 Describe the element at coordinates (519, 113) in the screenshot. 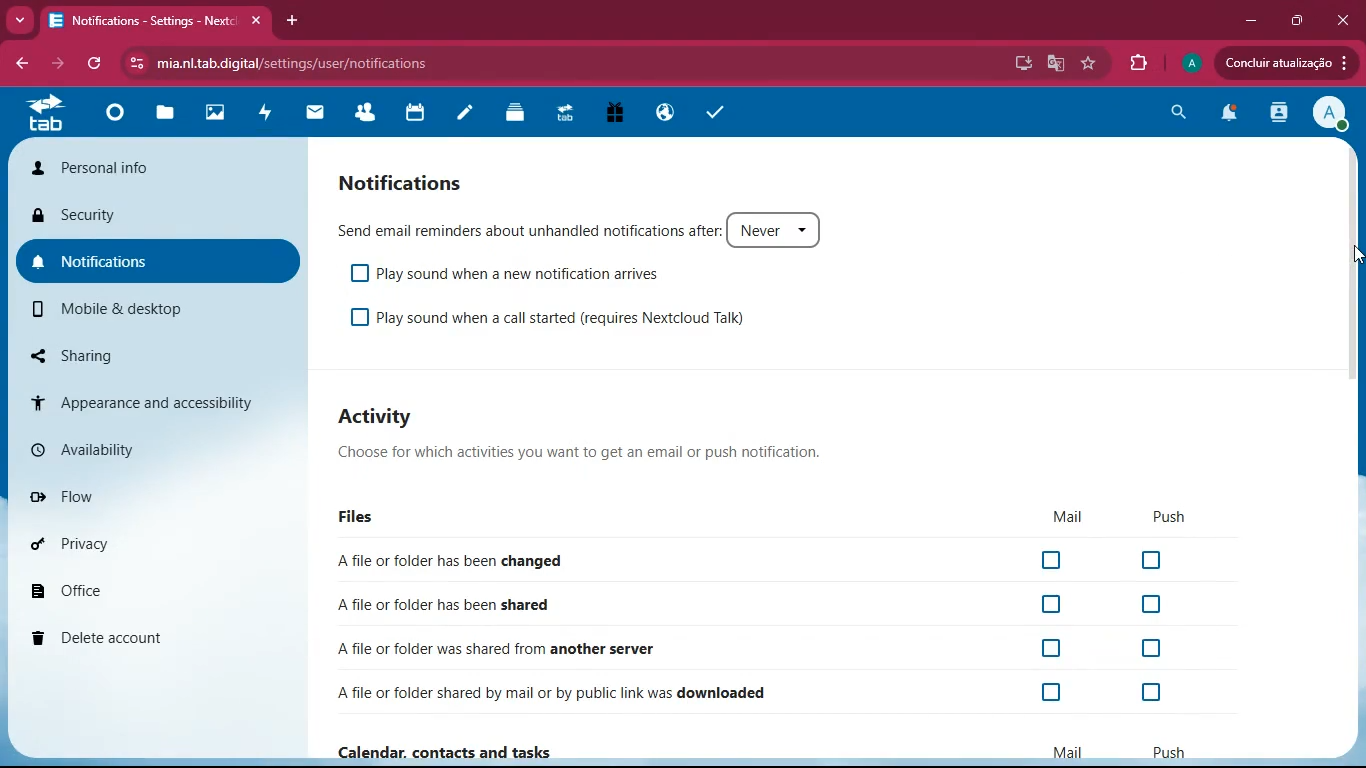

I see `layers` at that location.